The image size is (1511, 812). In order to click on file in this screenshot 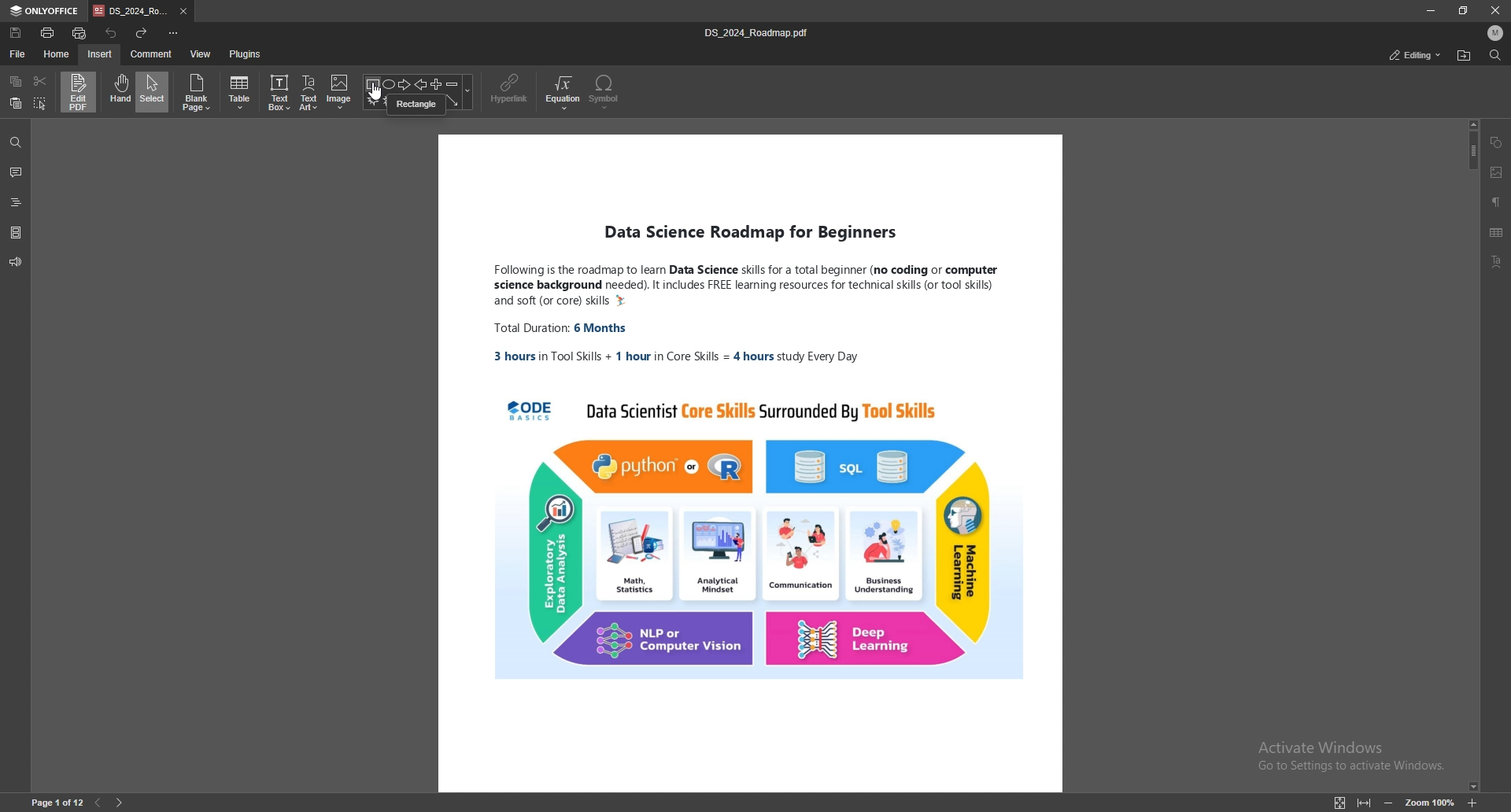, I will do `click(18, 53)`.